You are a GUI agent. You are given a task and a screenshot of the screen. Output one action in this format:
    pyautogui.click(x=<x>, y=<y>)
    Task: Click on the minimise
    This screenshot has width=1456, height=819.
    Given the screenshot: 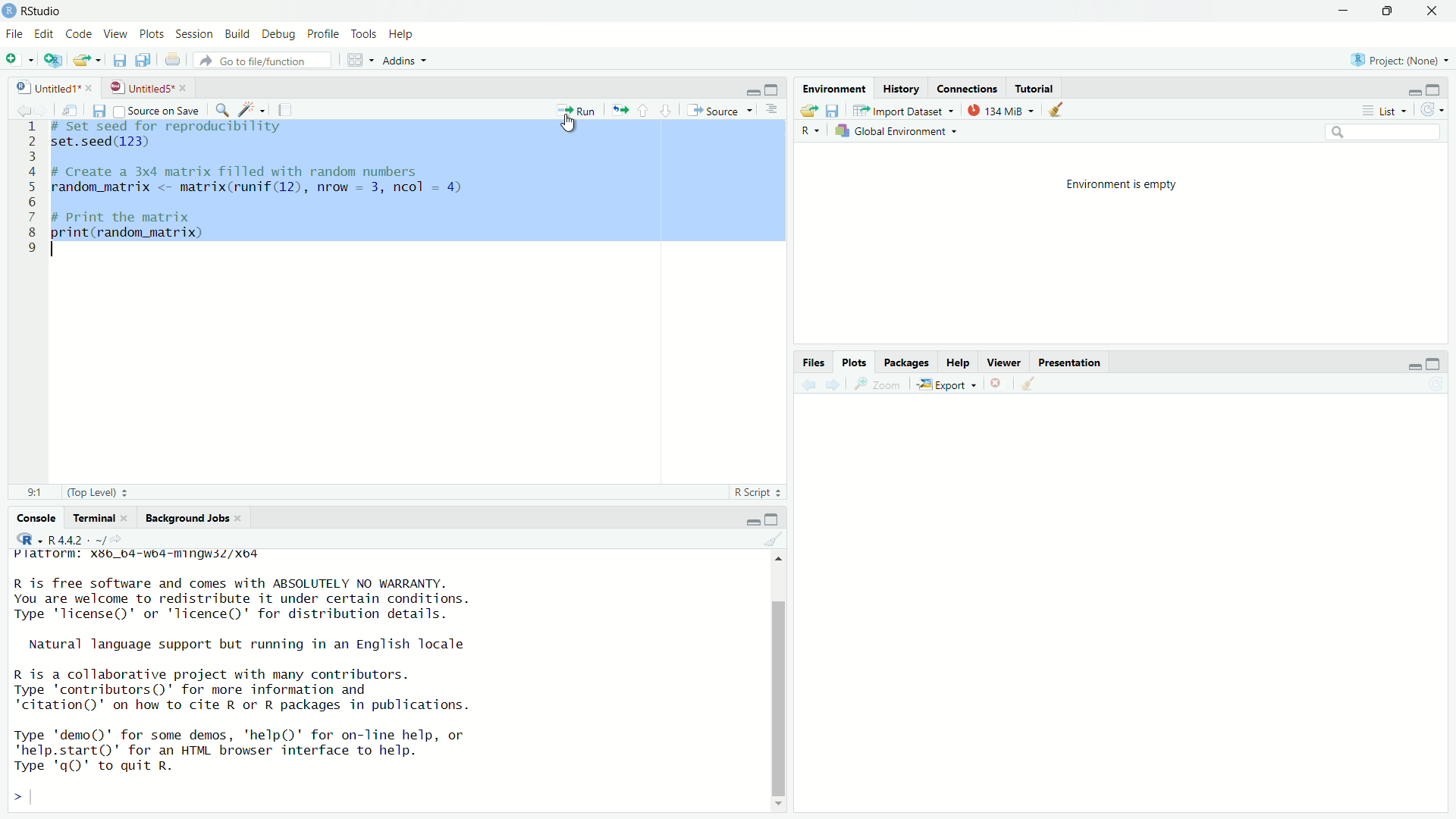 What is the action you would take?
    pyautogui.click(x=1343, y=11)
    